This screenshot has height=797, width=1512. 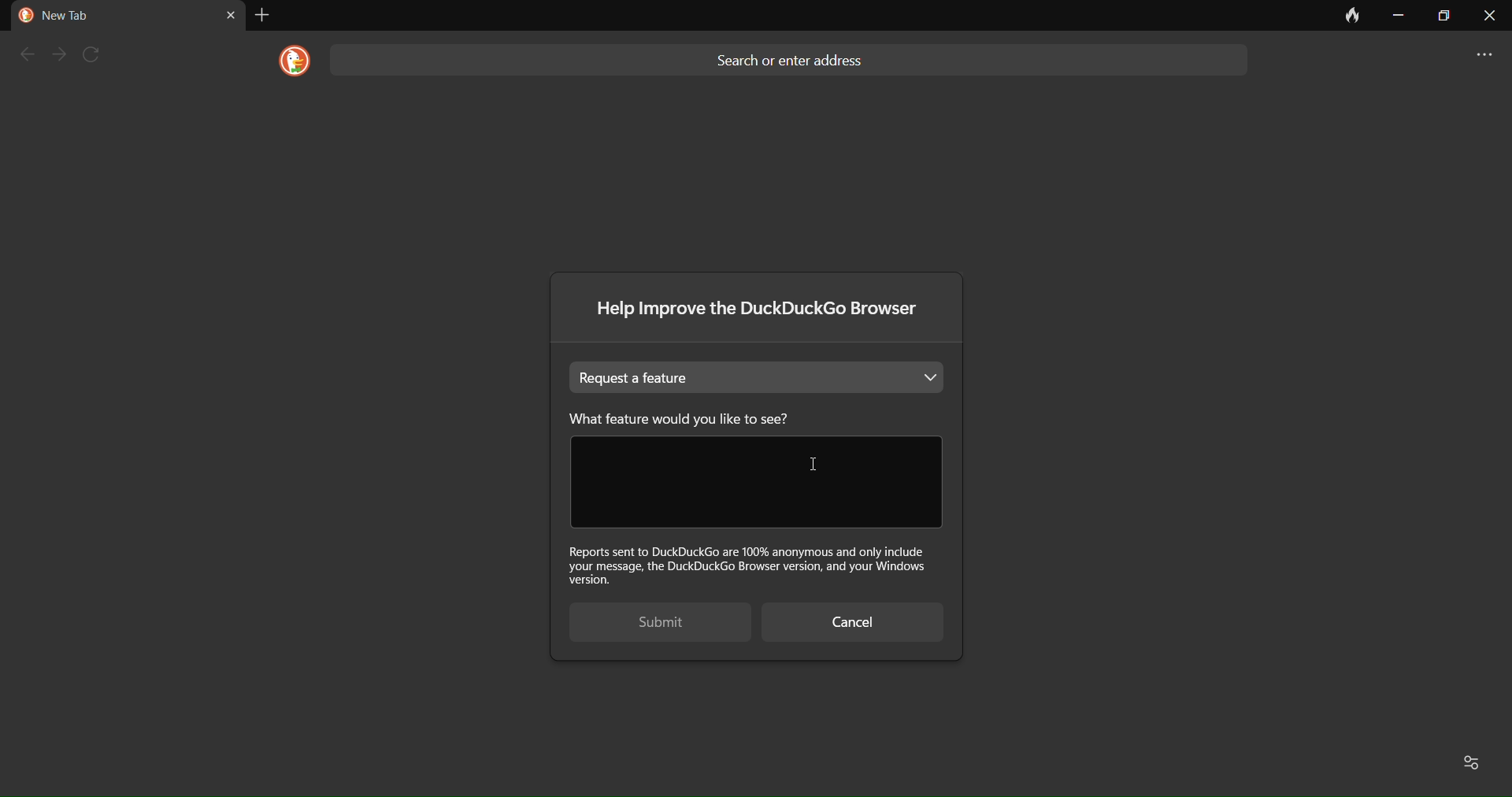 What do you see at coordinates (754, 483) in the screenshot?
I see `write here` at bounding box center [754, 483].